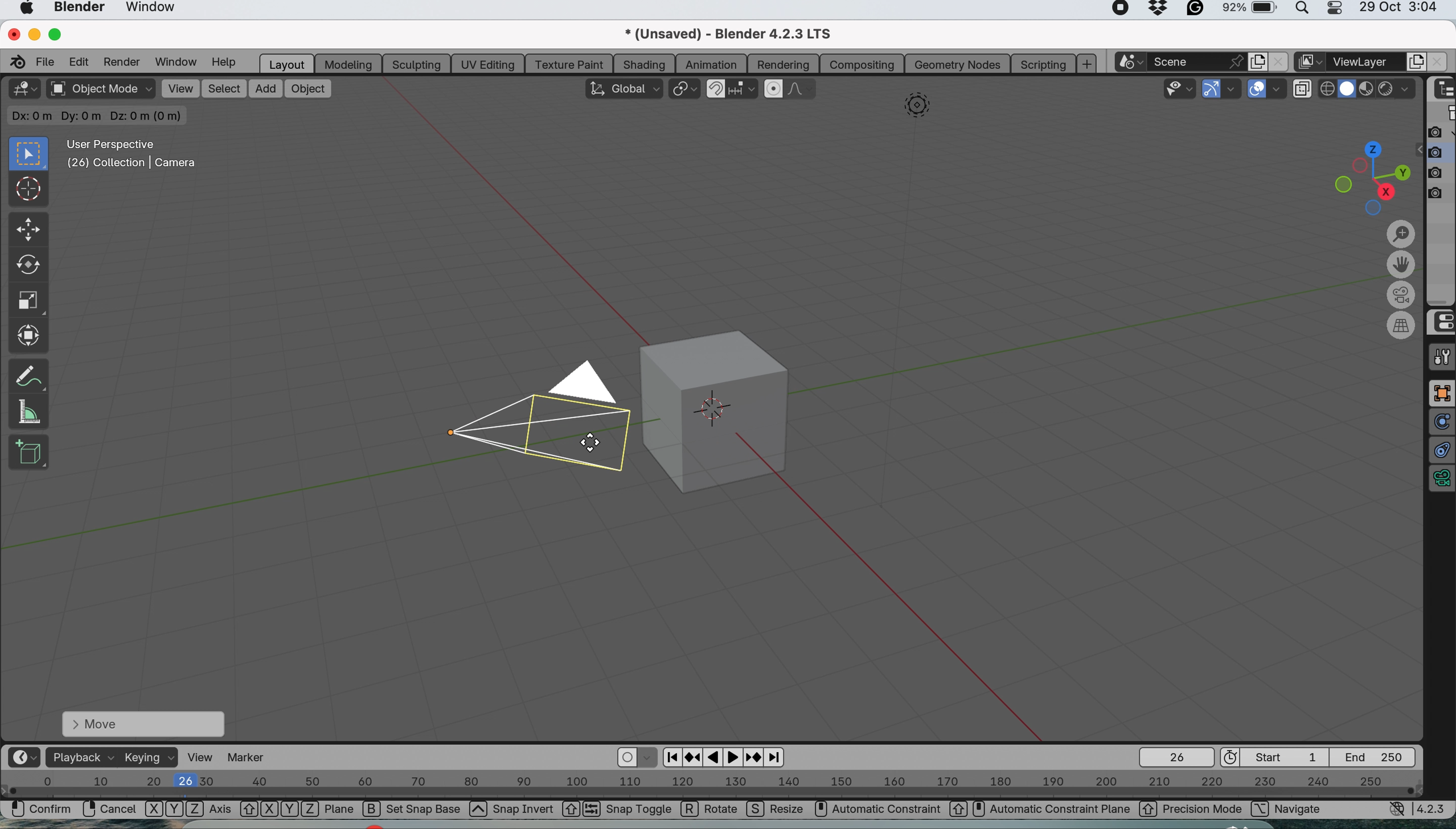 The width and height of the screenshot is (1456, 829). I want to click on add cube, so click(29, 452).